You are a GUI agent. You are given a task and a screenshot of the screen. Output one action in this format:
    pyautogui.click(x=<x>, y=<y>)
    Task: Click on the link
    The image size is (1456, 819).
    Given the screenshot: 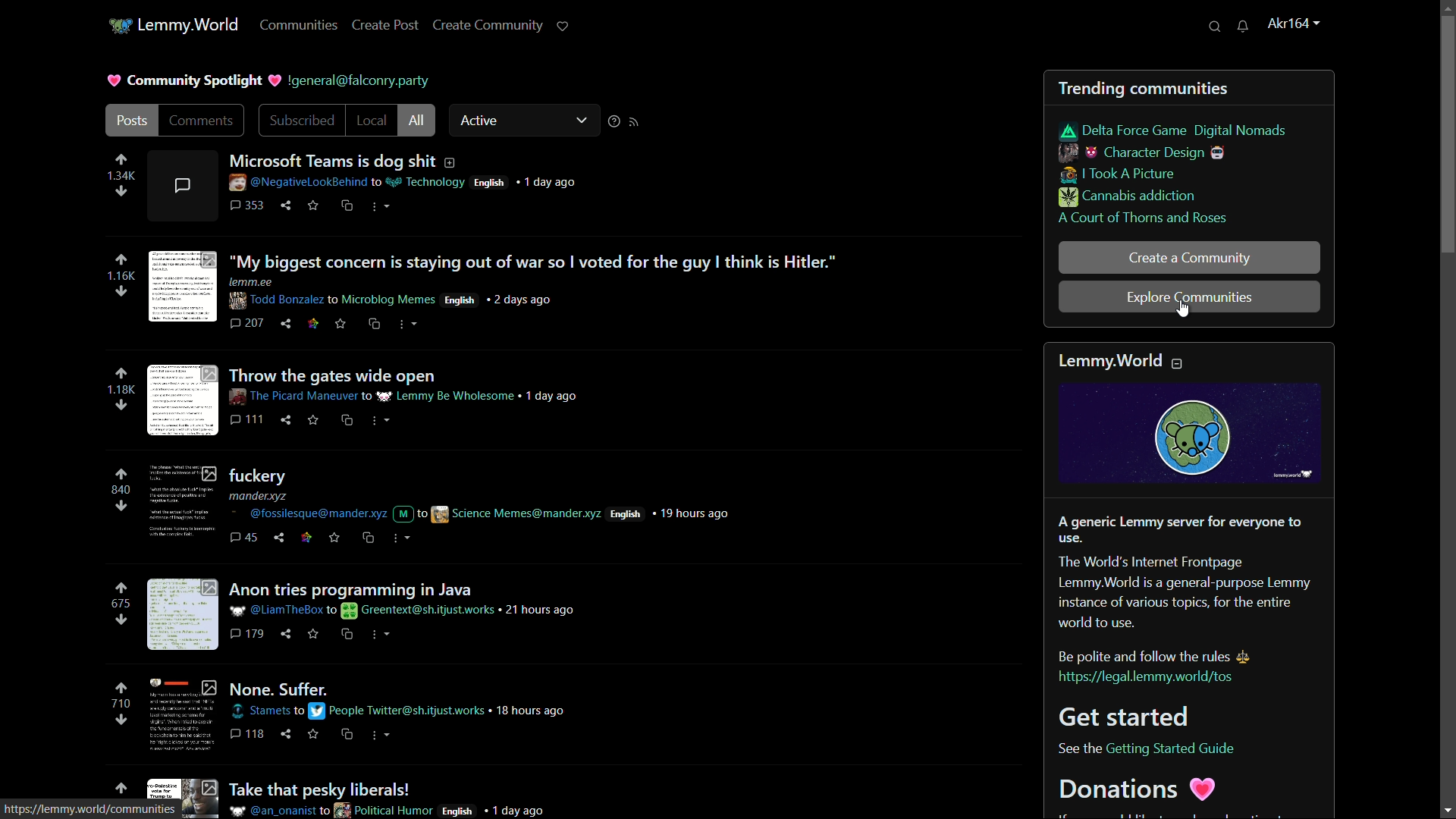 What is the action you would take?
    pyautogui.click(x=1159, y=680)
    